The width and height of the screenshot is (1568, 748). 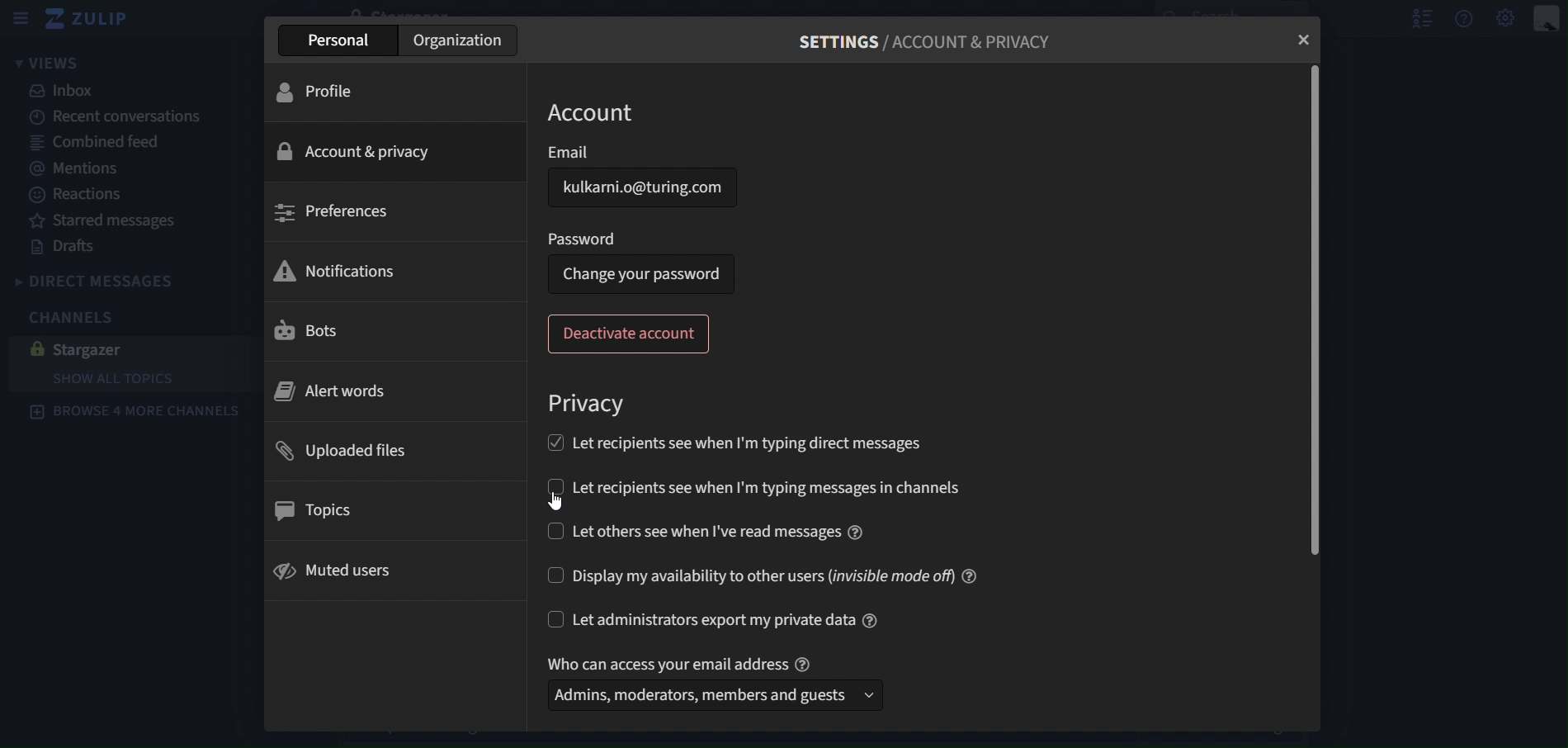 What do you see at coordinates (319, 93) in the screenshot?
I see `profile` at bounding box center [319, 93].